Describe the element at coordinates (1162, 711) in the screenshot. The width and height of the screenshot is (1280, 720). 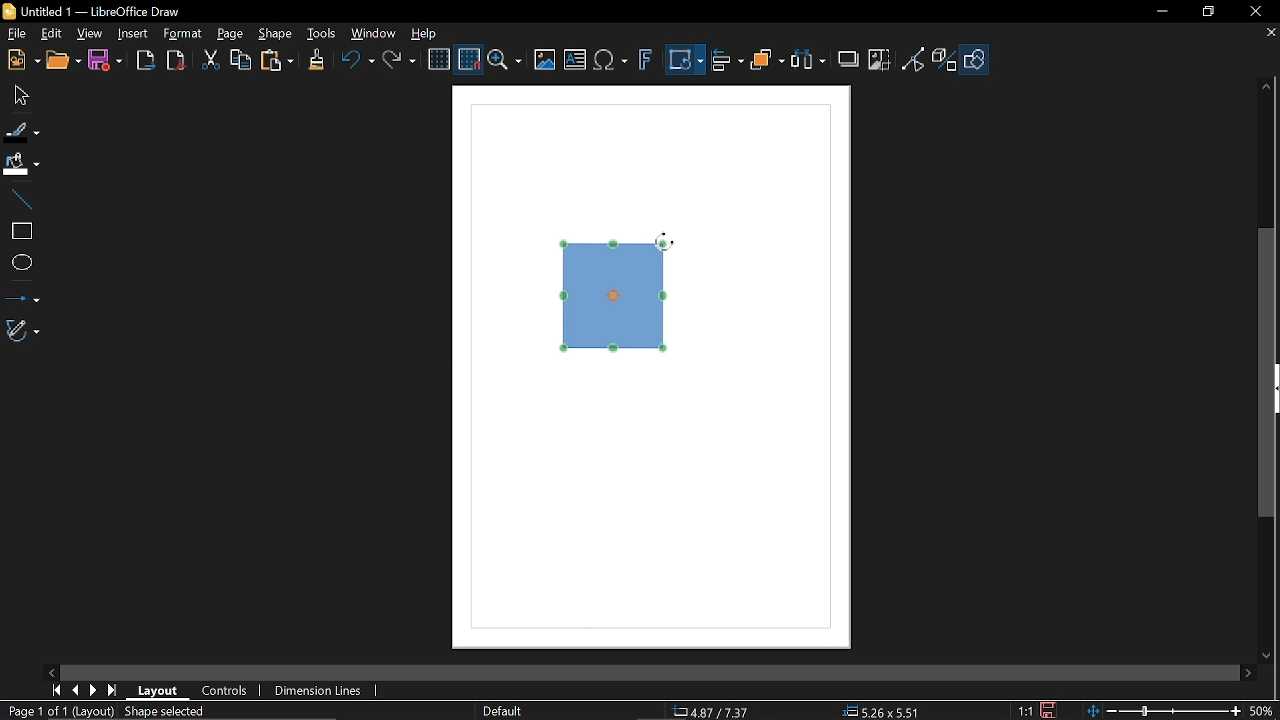
I see `Change zoom` at that location.